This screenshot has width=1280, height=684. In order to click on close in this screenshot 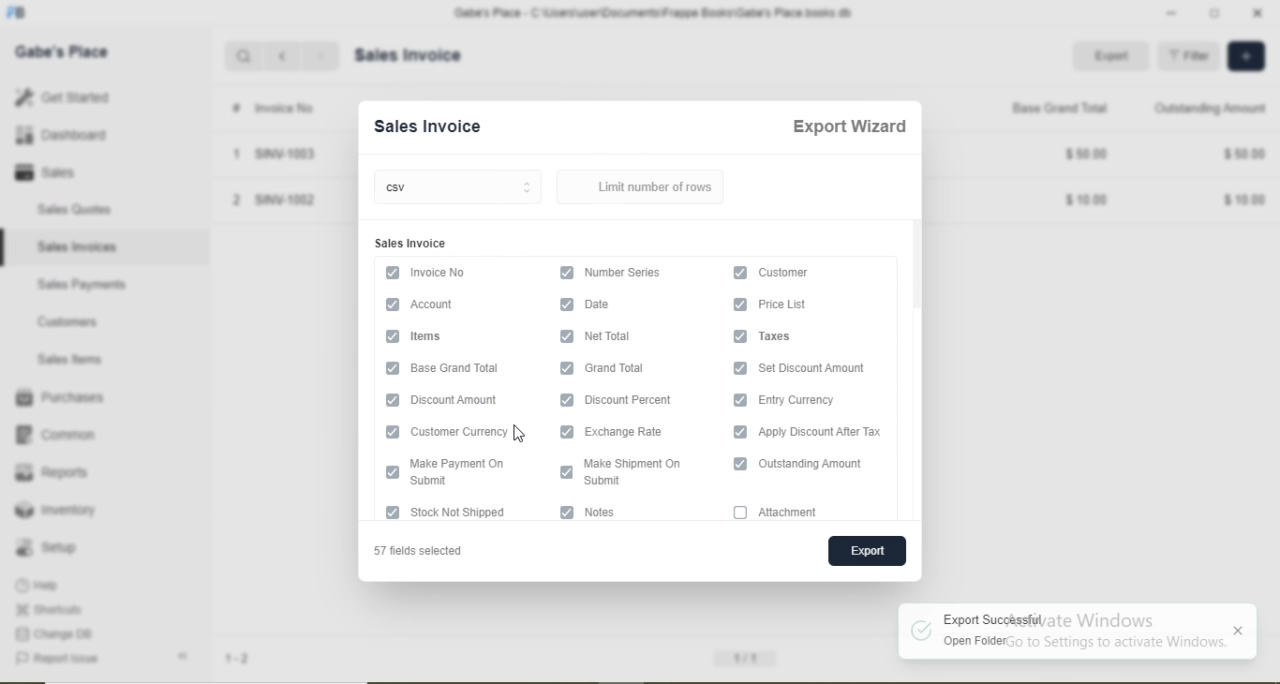, I will do `click(1263, 13)`.